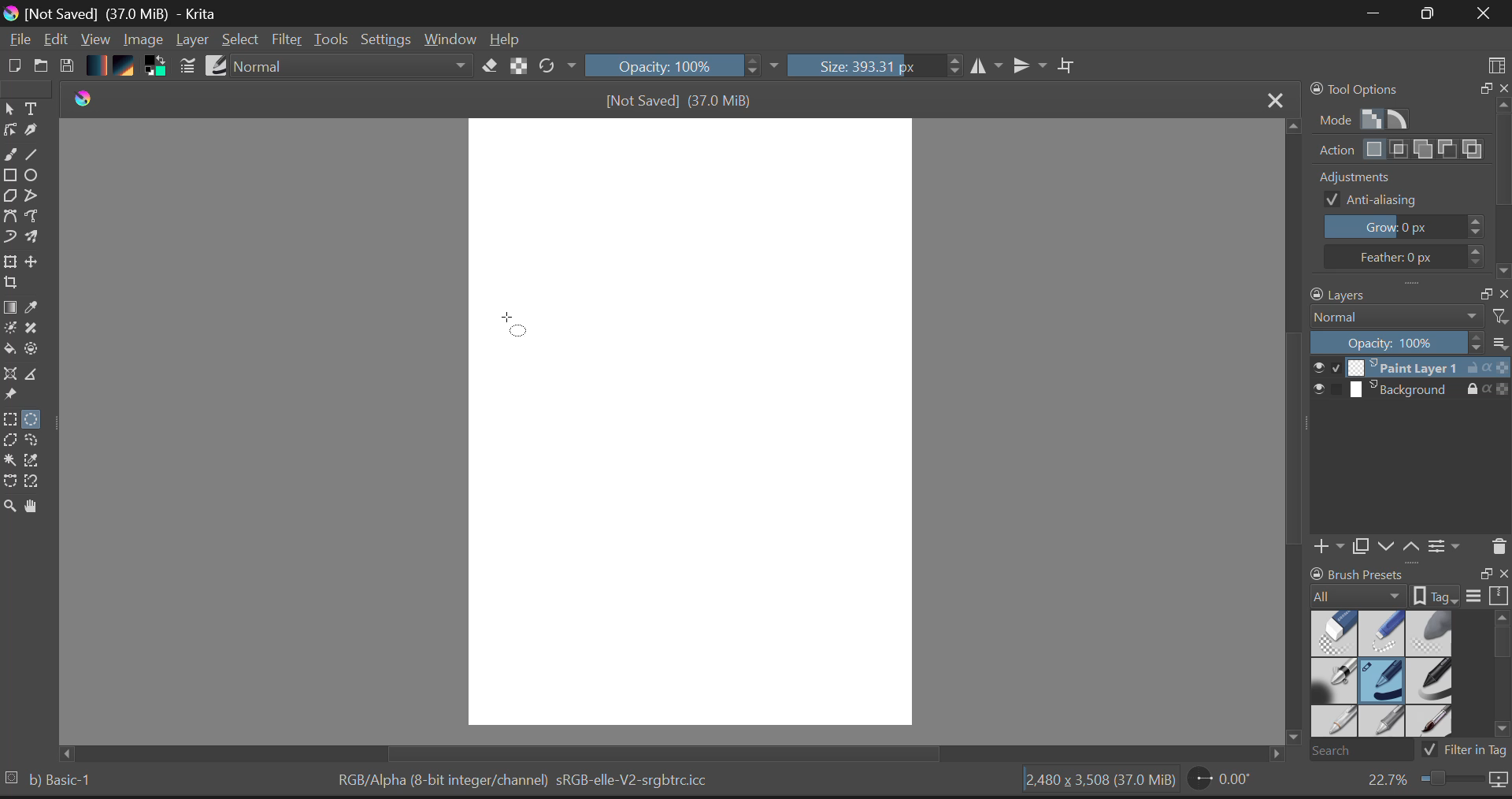 This screenshot has height=799, width=1512. I want to click on Rectangle Selection, so click(9, 421).